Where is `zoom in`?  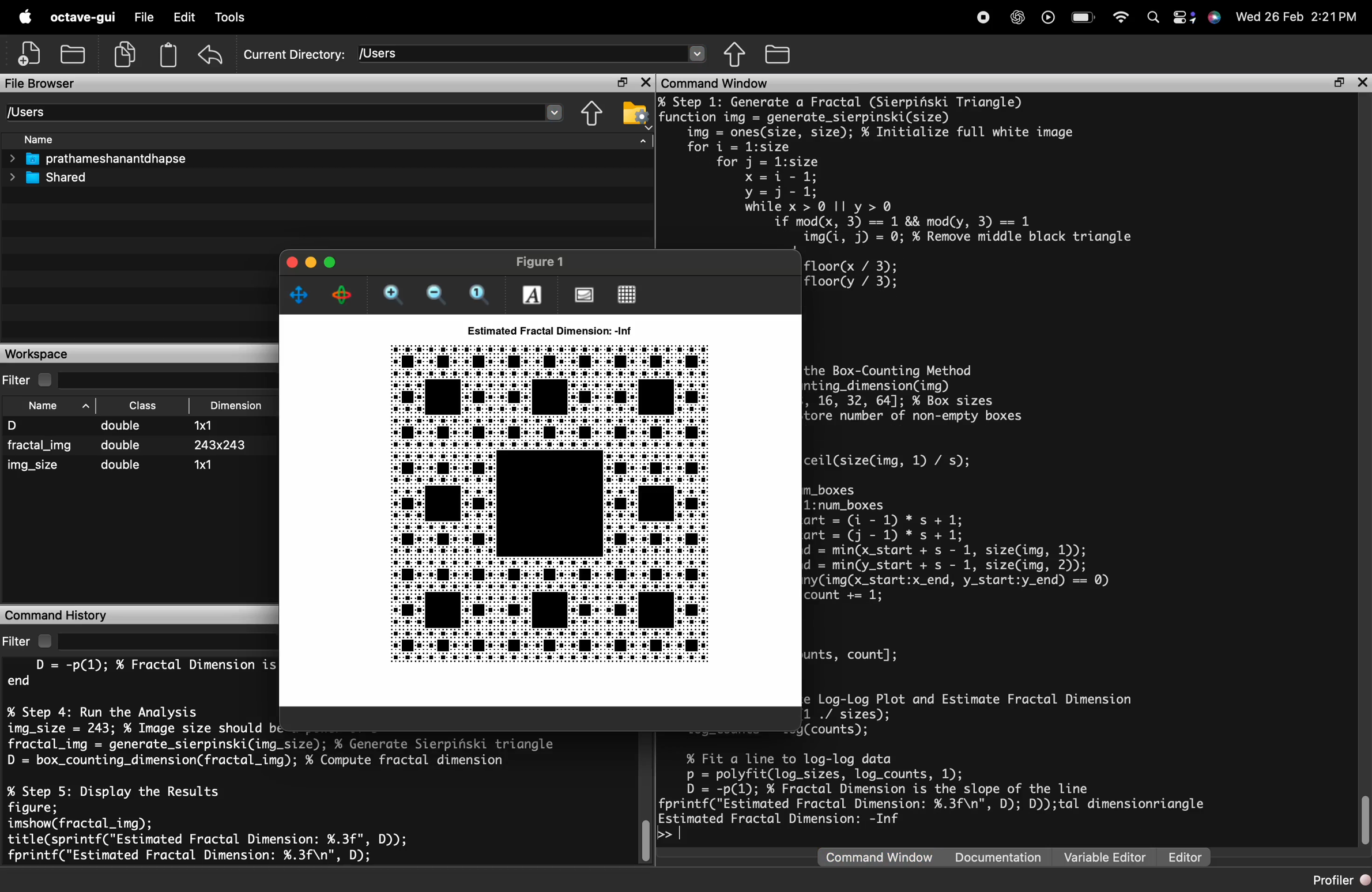
zoom in is located at coordinates (392, 295).